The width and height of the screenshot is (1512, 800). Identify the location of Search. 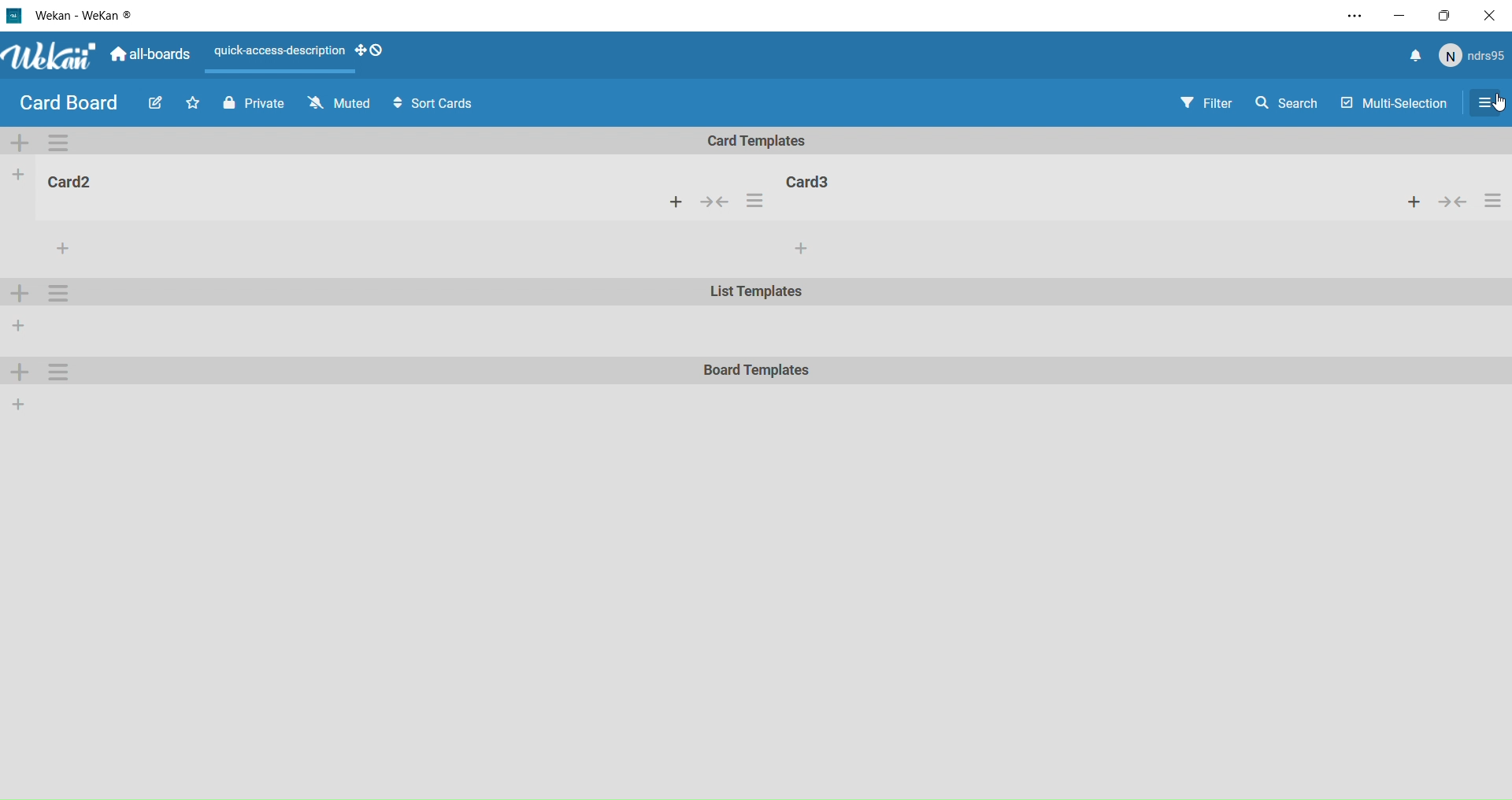
(1292, 101).